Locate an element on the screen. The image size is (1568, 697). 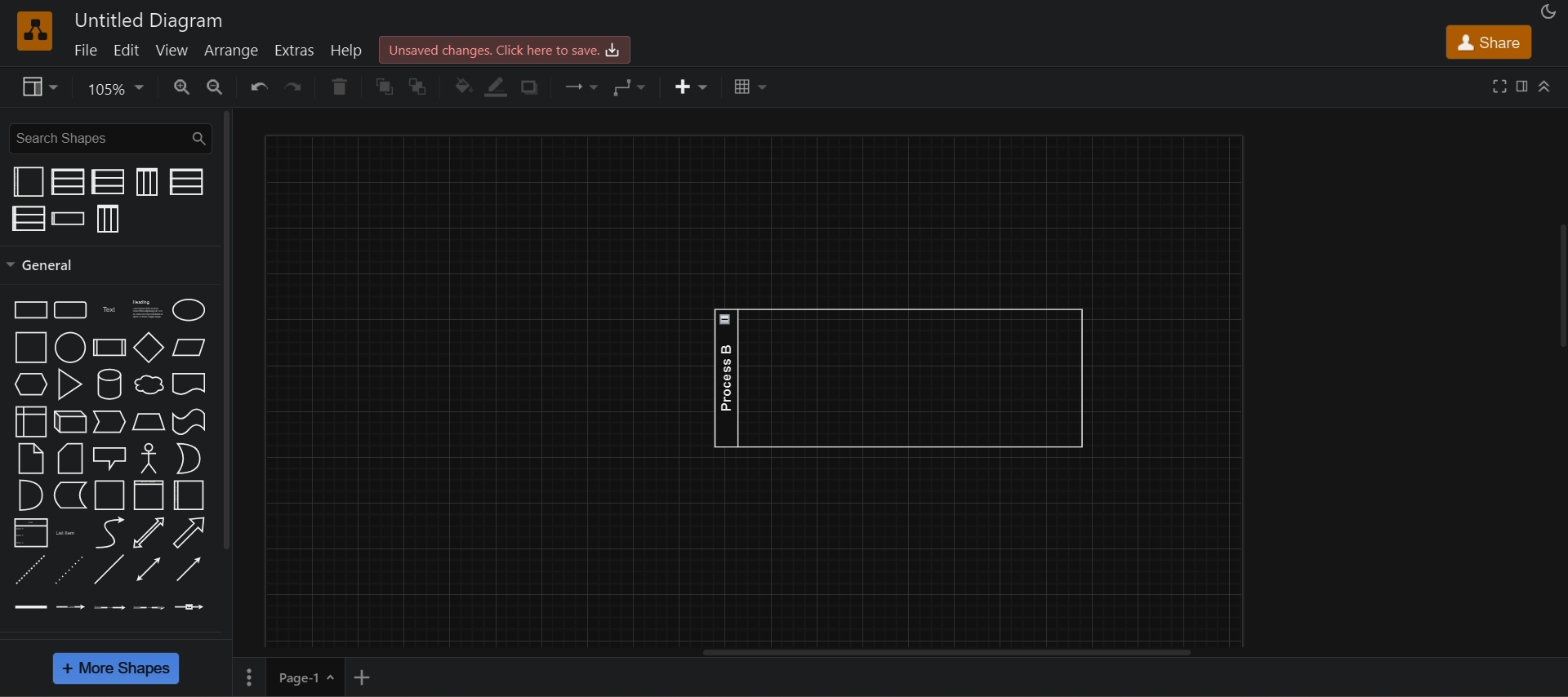
fill color is located at coordinates (461, 85).